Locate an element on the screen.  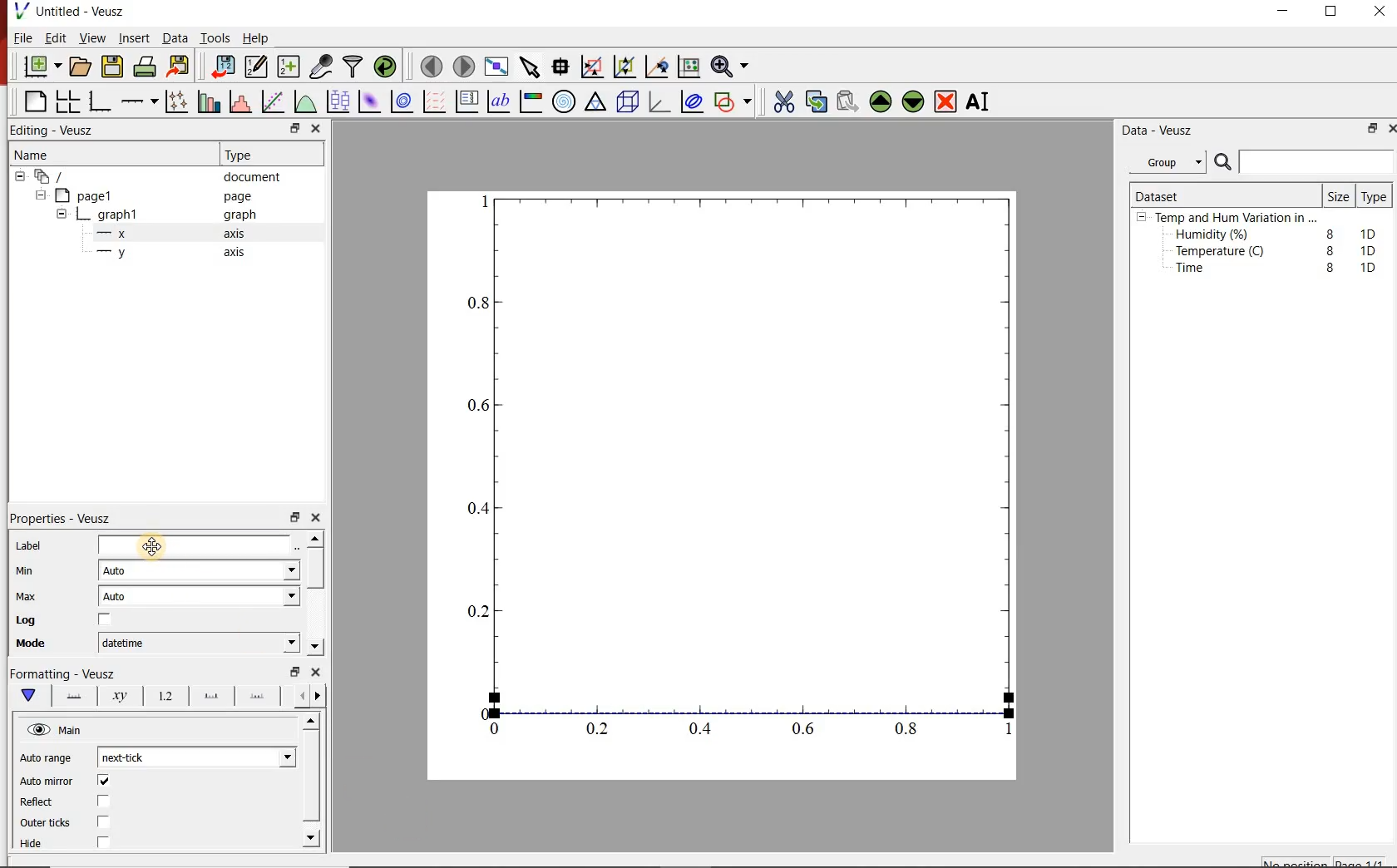
hide sub menu is located at coordinates (18, 179).